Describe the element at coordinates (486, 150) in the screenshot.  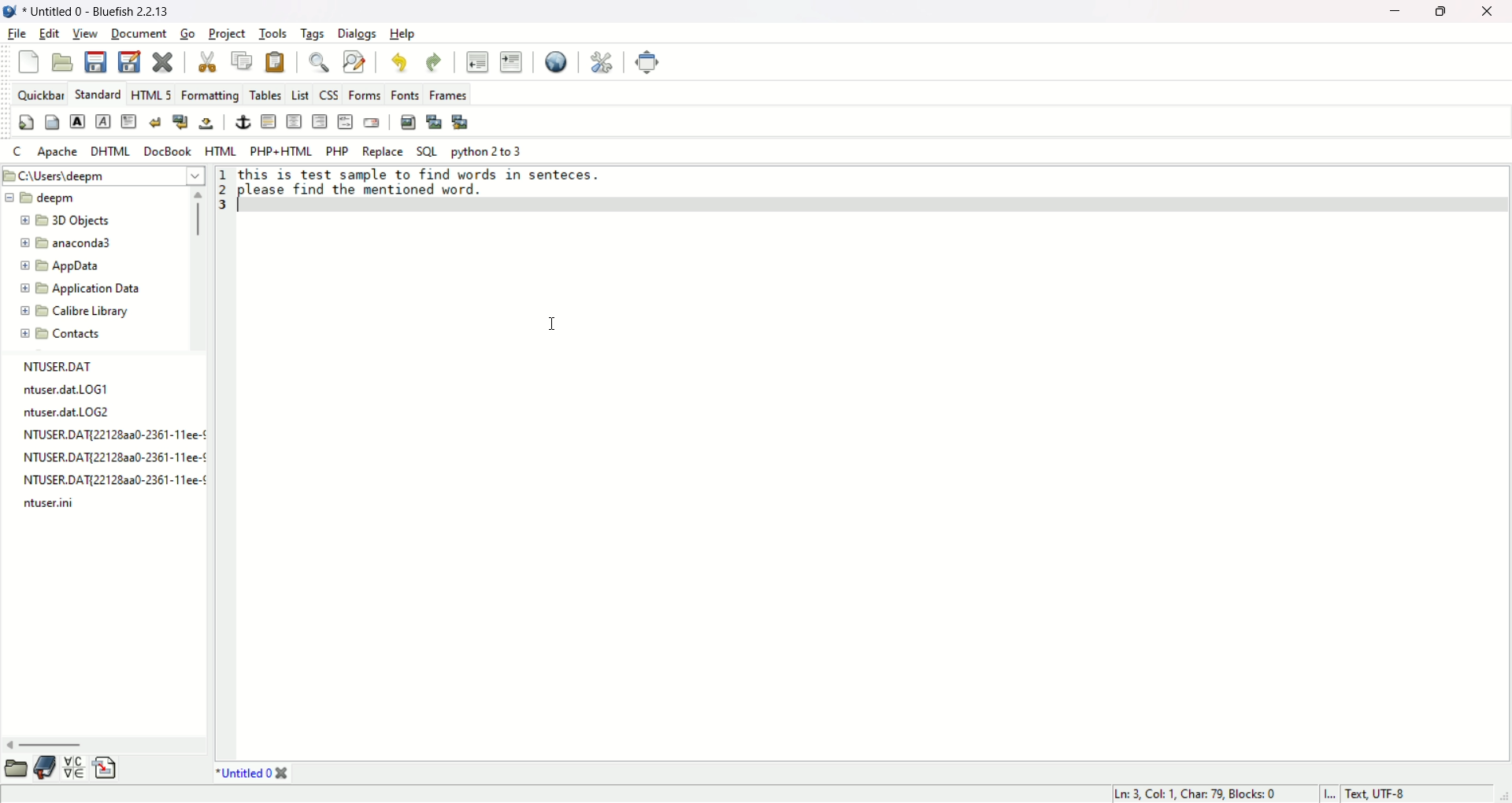
I see `python 2 to 3` at that location.